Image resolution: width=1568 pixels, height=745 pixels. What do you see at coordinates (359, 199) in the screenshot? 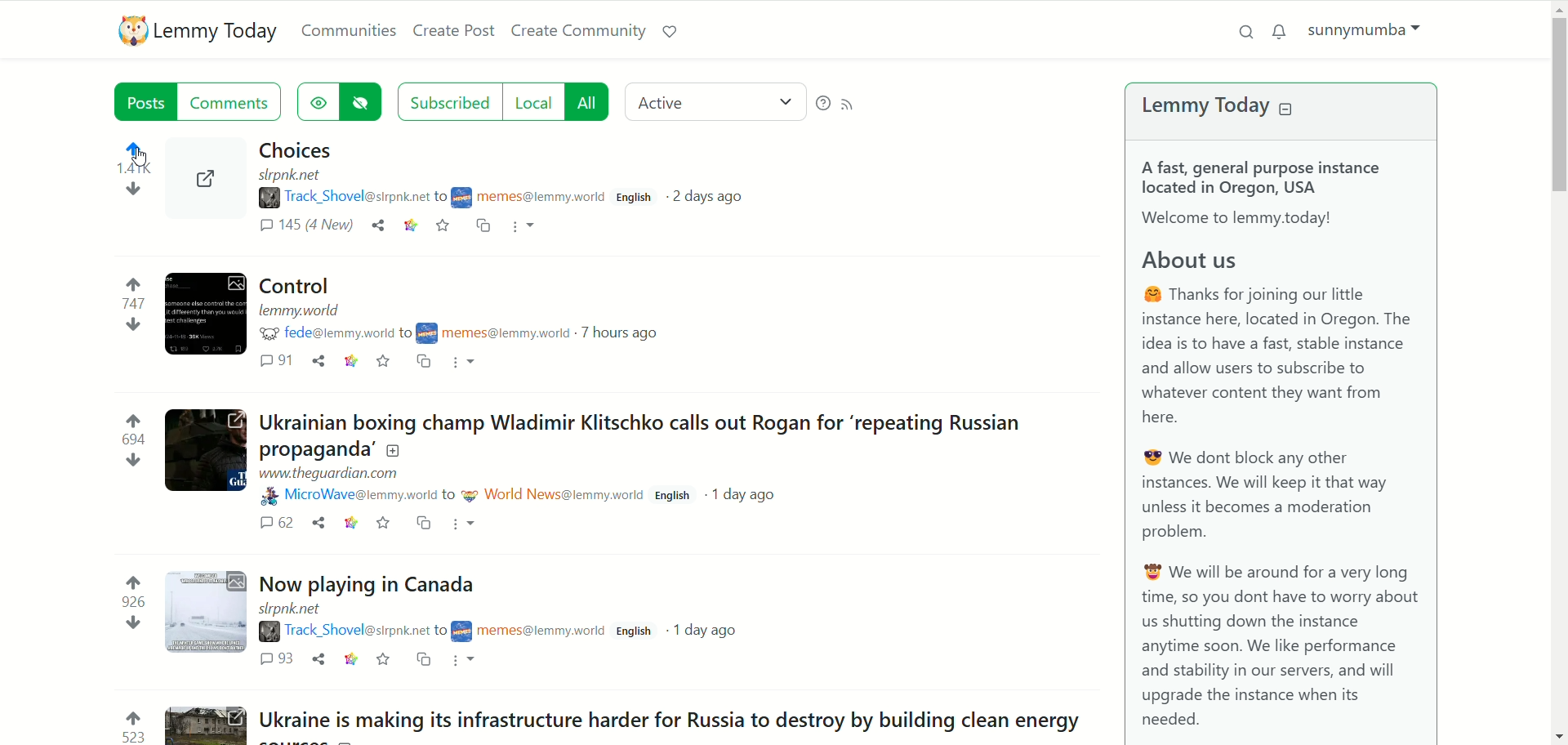
I see `username` at bounding box center [359, 199].